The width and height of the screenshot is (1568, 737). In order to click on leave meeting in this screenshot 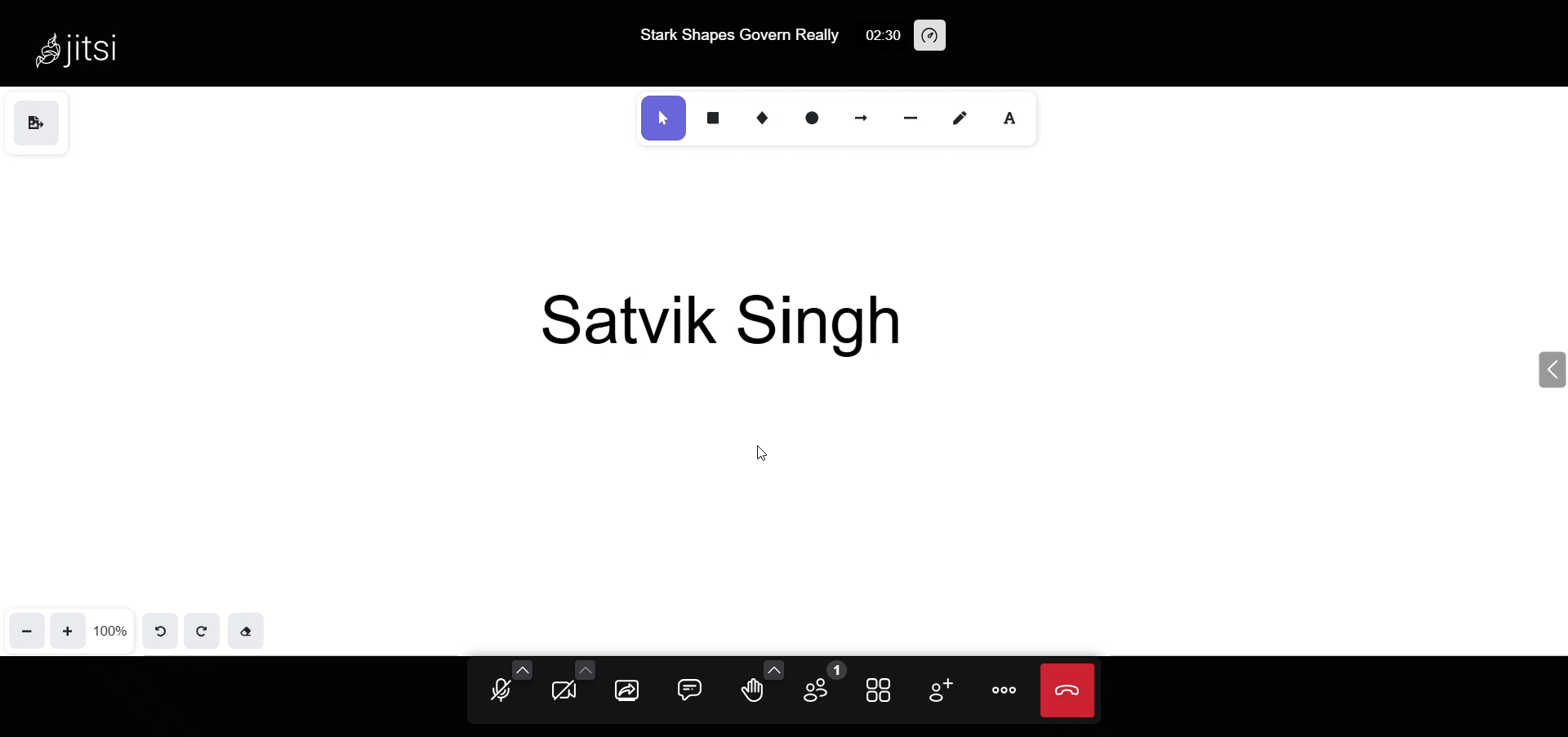, I will do `click(1067, 690)`.